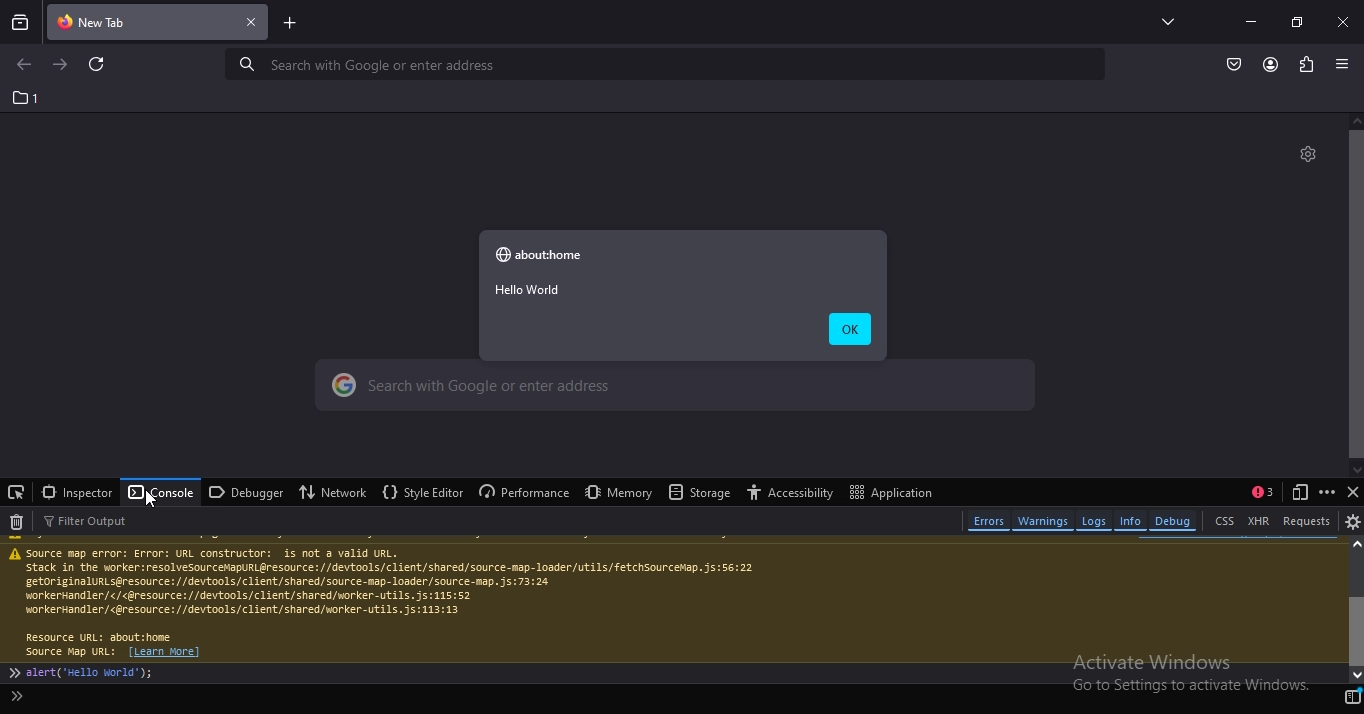  Describe the element at coordinates (1344, 21) in the screenshot. I see `close` at that location.